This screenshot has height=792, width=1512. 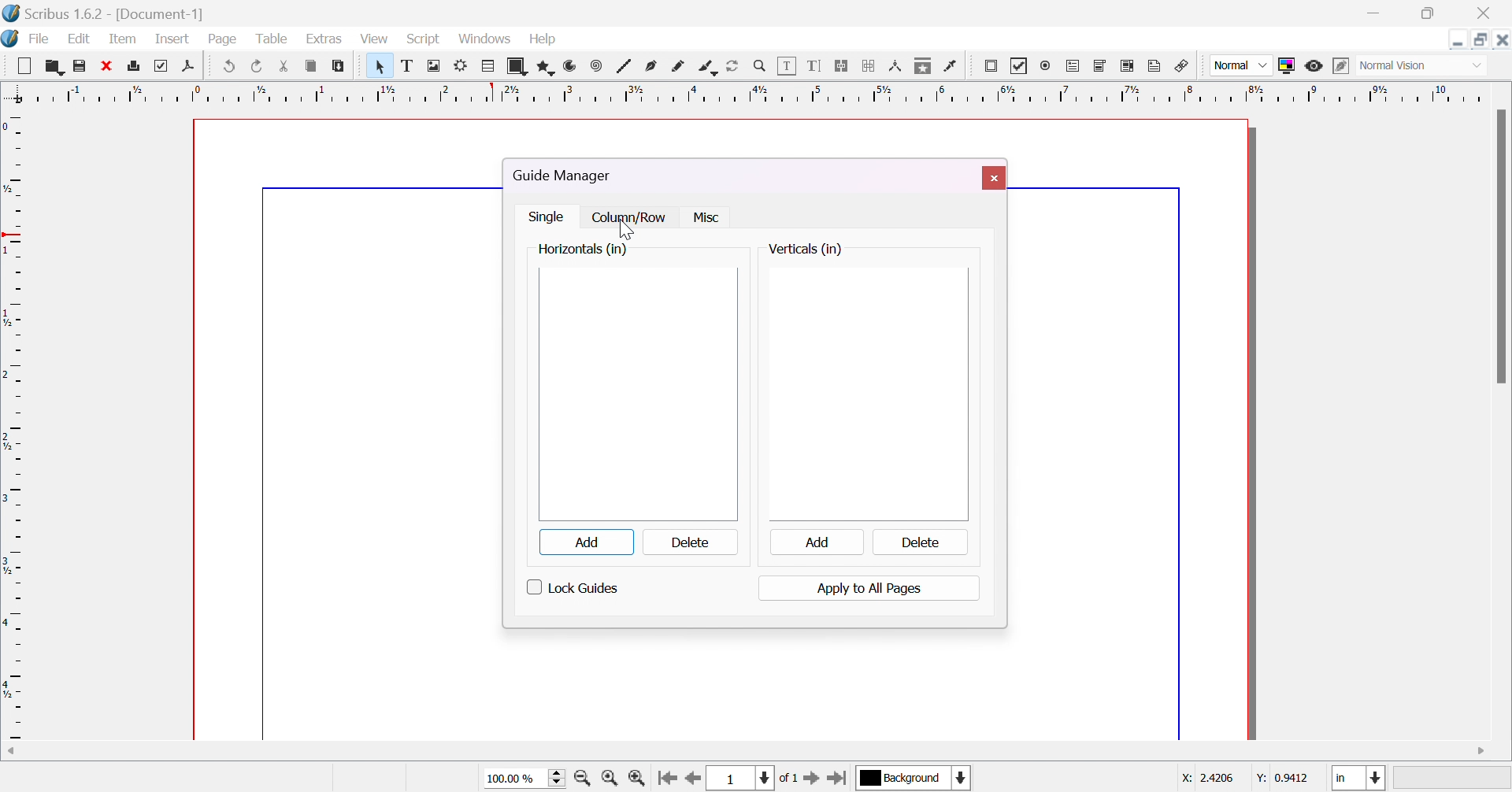 What do you see at coordinates (638, 777) in the screenshot?
I see `zoom in` at bounding box center [638, 777].